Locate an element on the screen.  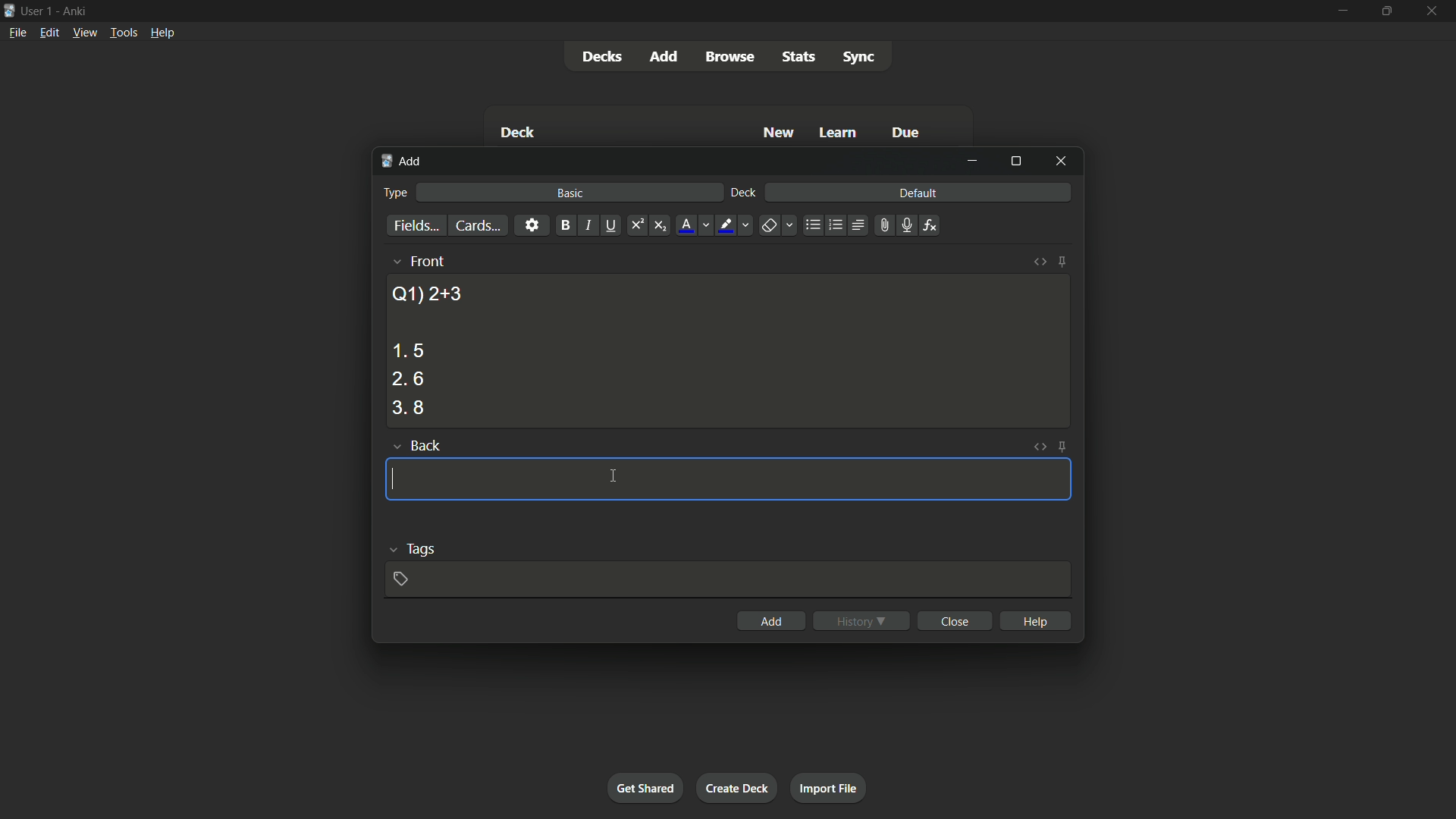
toggle html editor is located at coordinates (1037, 447).